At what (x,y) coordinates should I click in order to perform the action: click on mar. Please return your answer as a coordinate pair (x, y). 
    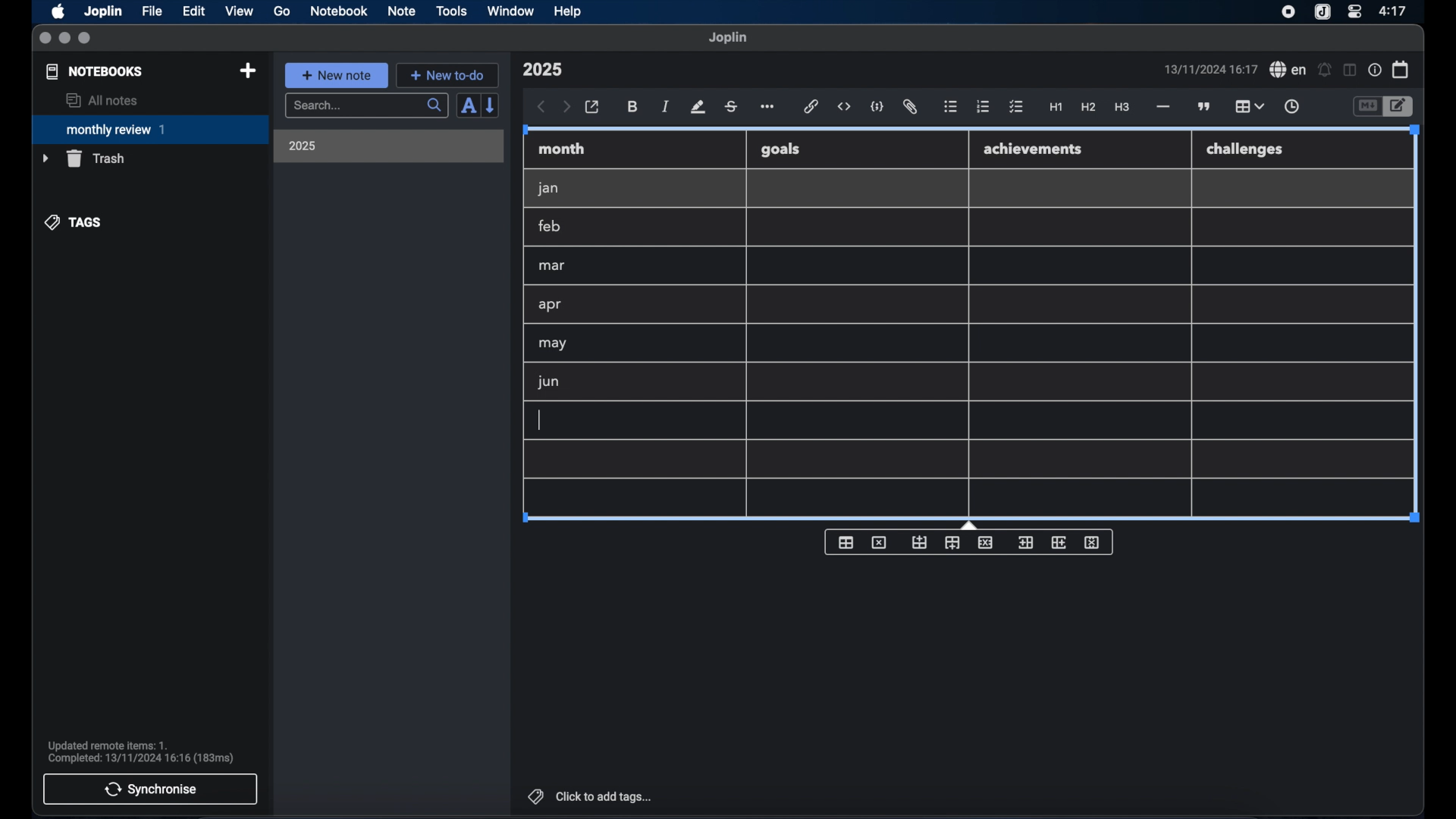
    Looking at the image, I should click on (553, 266).